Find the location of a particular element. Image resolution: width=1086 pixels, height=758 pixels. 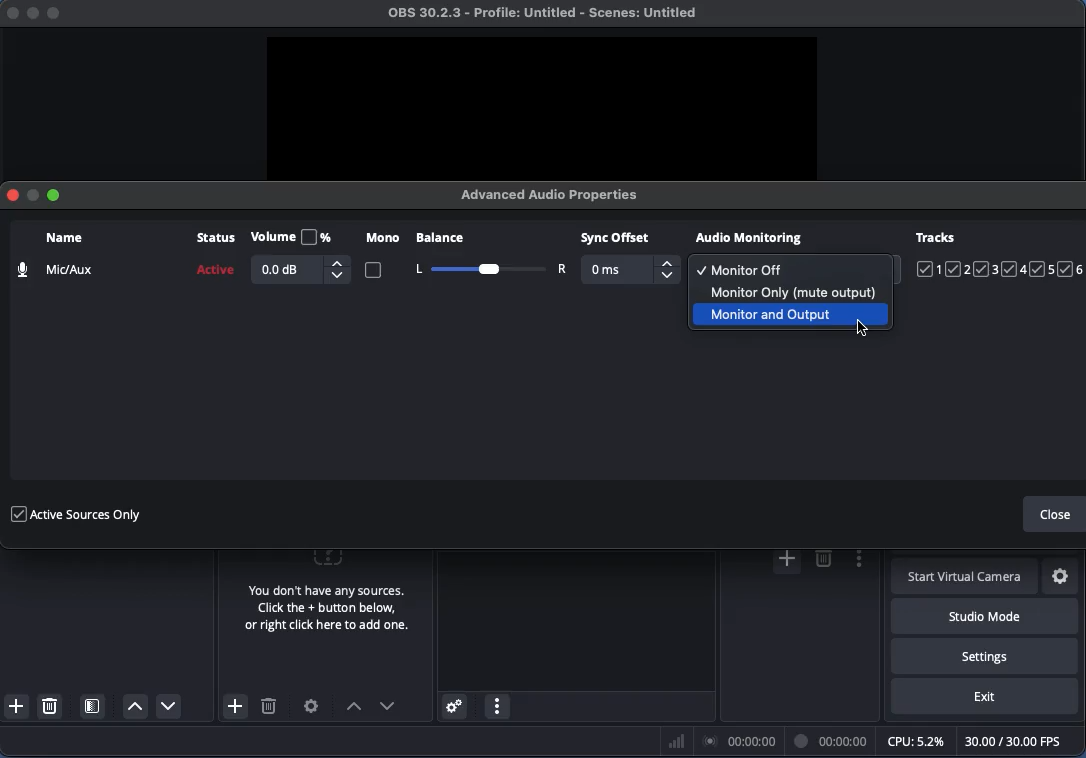

Name is located at coordinates (53, 256).